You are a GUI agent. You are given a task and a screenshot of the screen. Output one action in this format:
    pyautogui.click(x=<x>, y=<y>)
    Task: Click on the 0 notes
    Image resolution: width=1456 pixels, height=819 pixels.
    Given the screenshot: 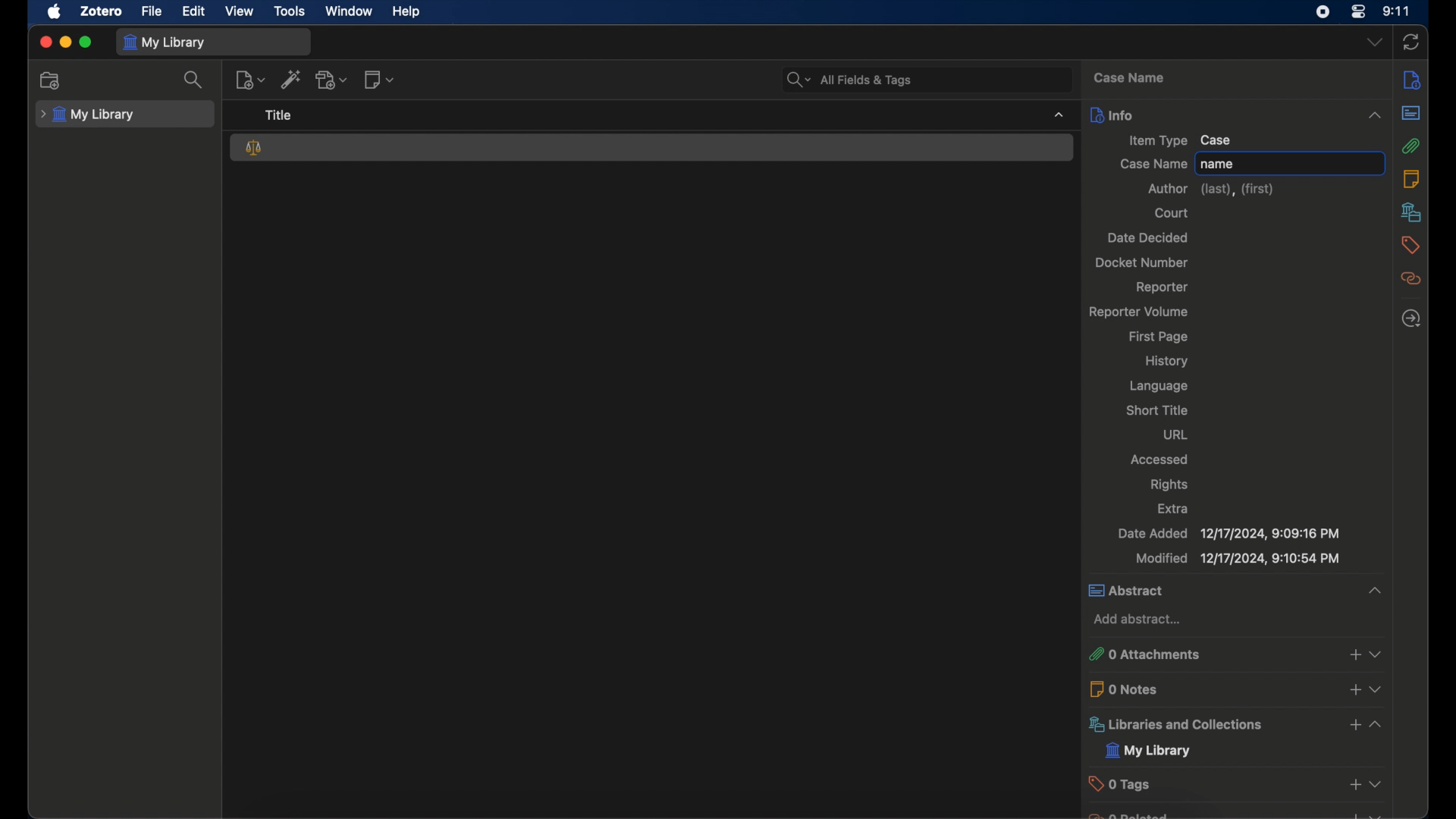 What is the action you would take?
    pyautogui.click(x=1235, y=690)
    